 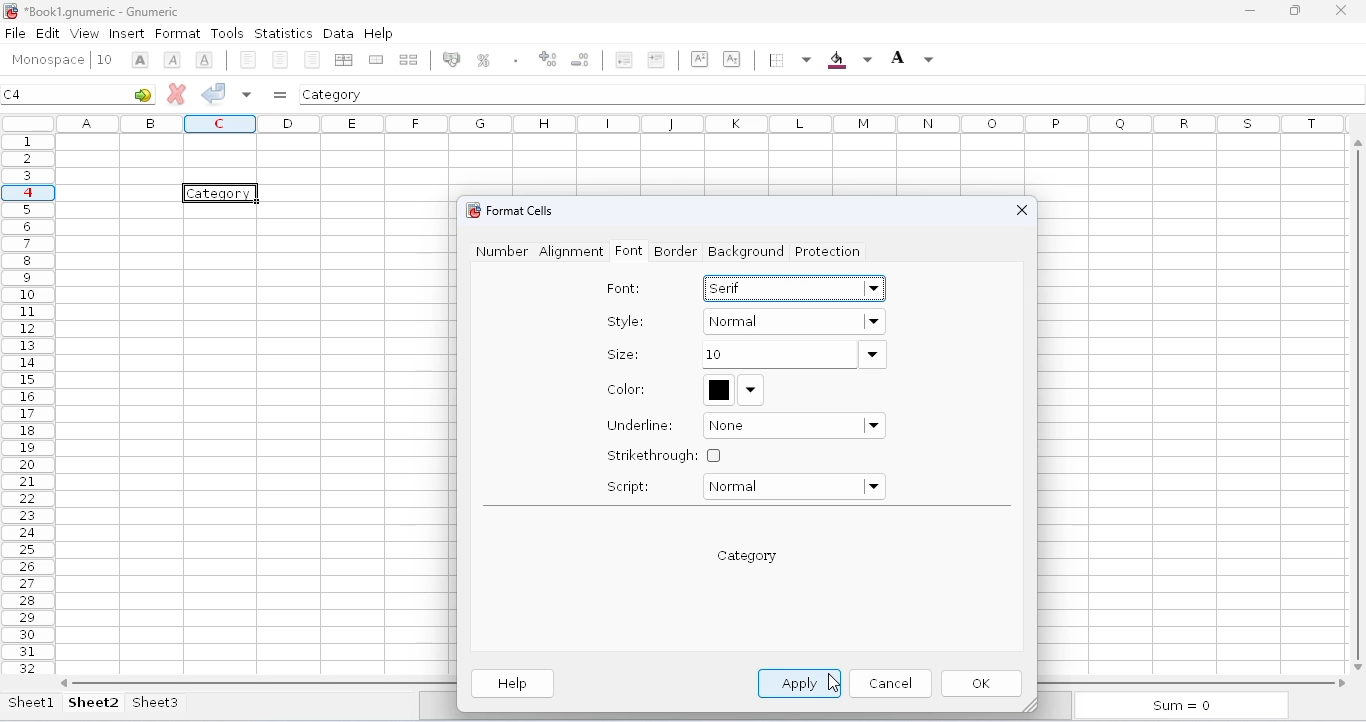 What do you see at coordinates (622, 354) in the screenshot?
I see `size:` at bounding box center [622, 354].